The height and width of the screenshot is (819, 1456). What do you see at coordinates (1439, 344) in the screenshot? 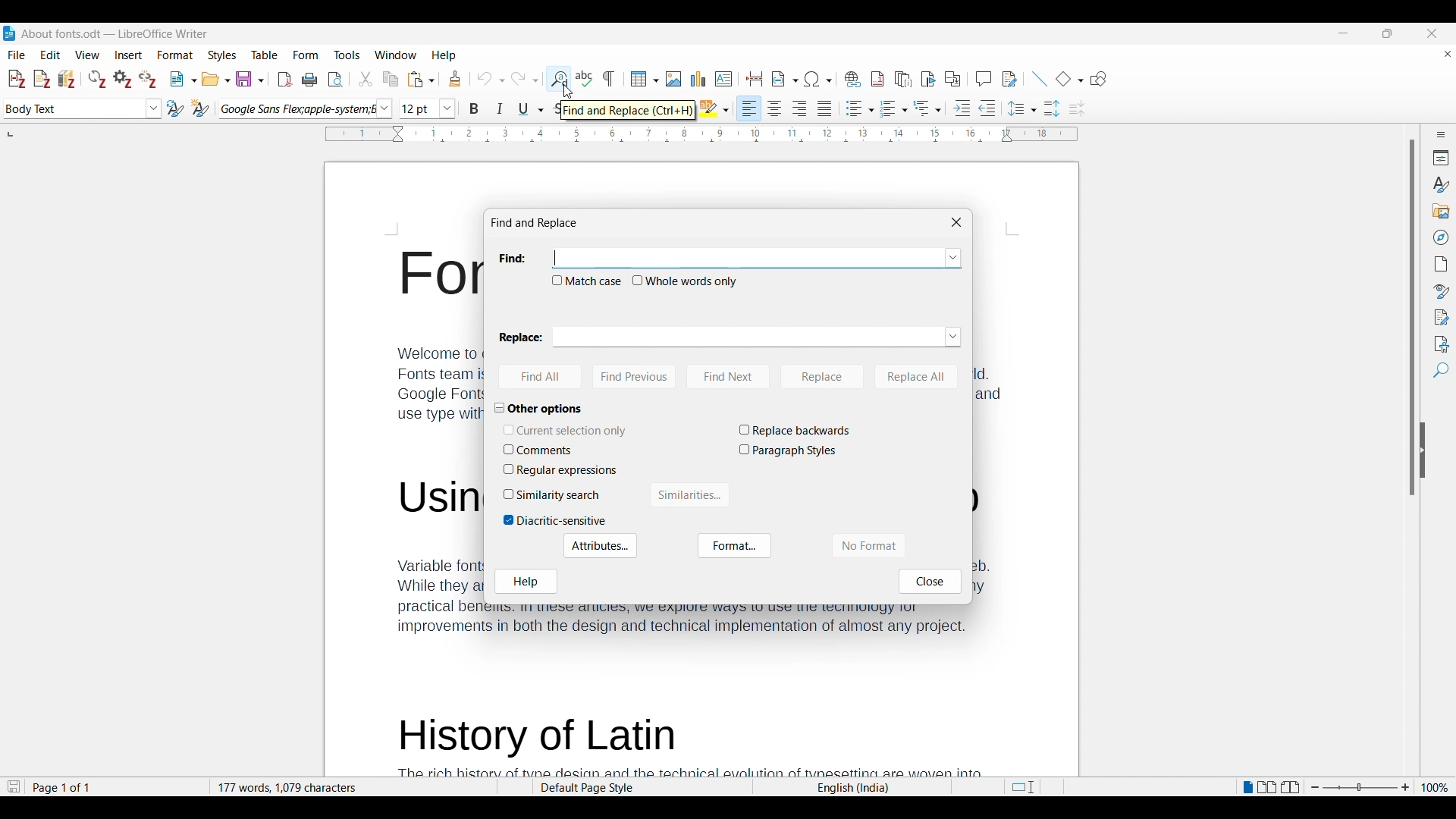
I see `Accessibility check` at bounding box center [1439, 344].